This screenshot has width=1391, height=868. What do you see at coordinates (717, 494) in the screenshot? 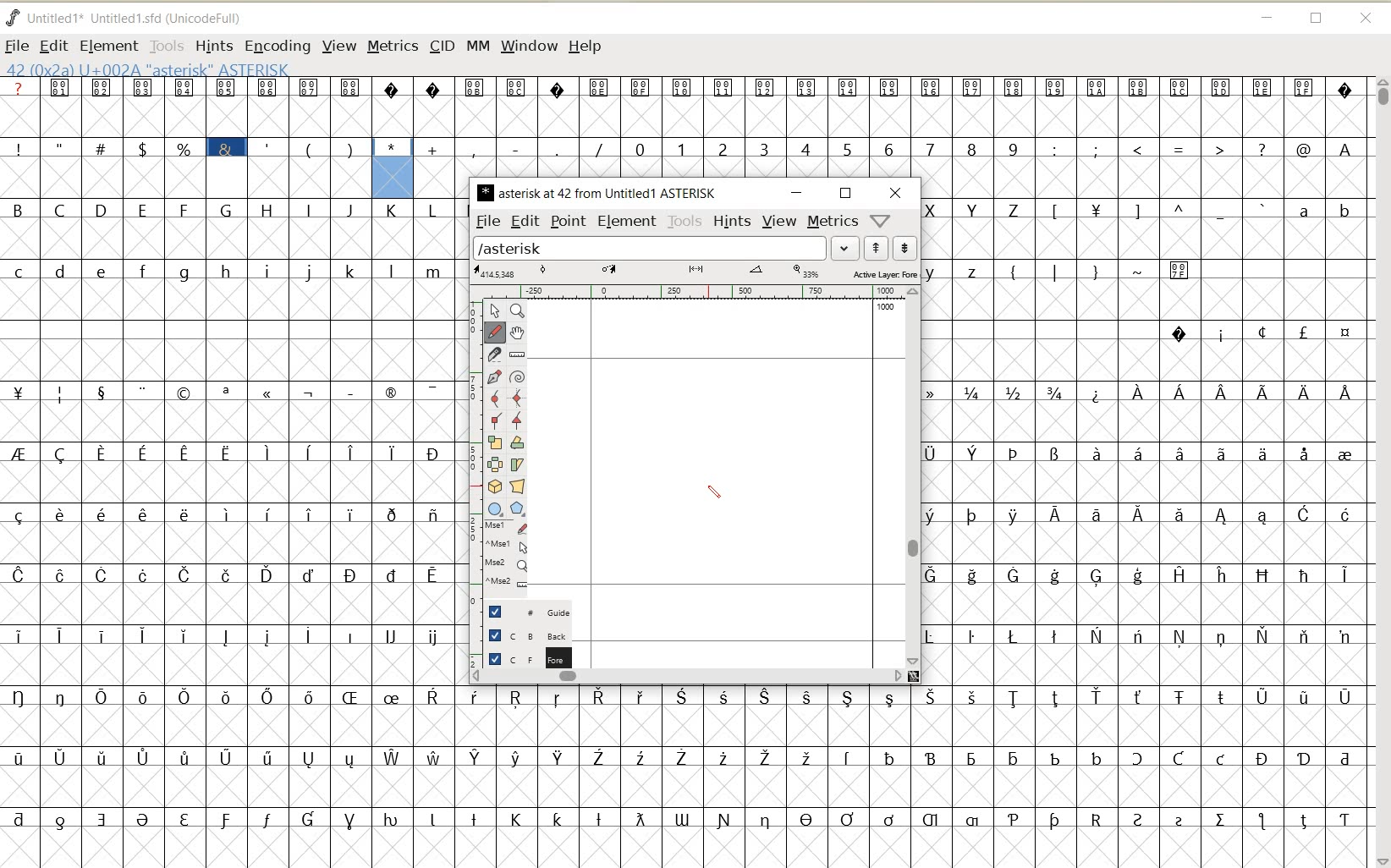
I see `PENCIL TOOL` at bounding box center [717, 494].